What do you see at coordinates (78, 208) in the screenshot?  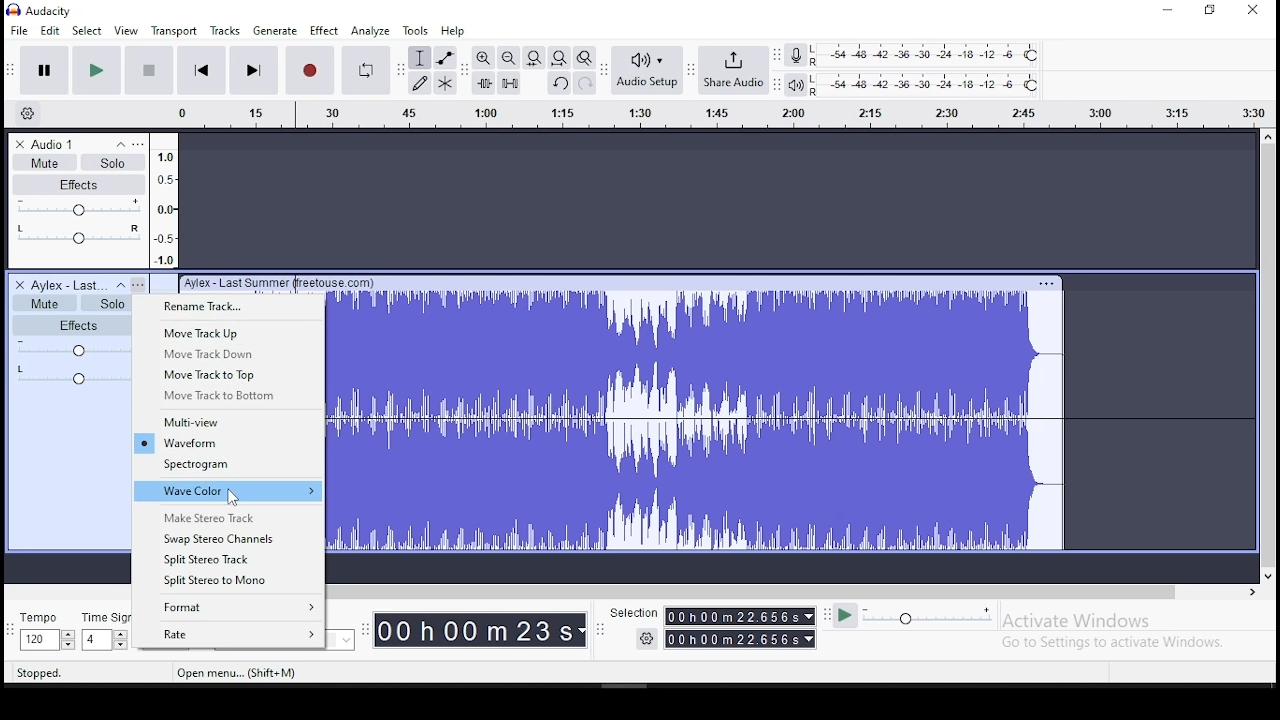 I see `volume` at bounding box center [78, 208].